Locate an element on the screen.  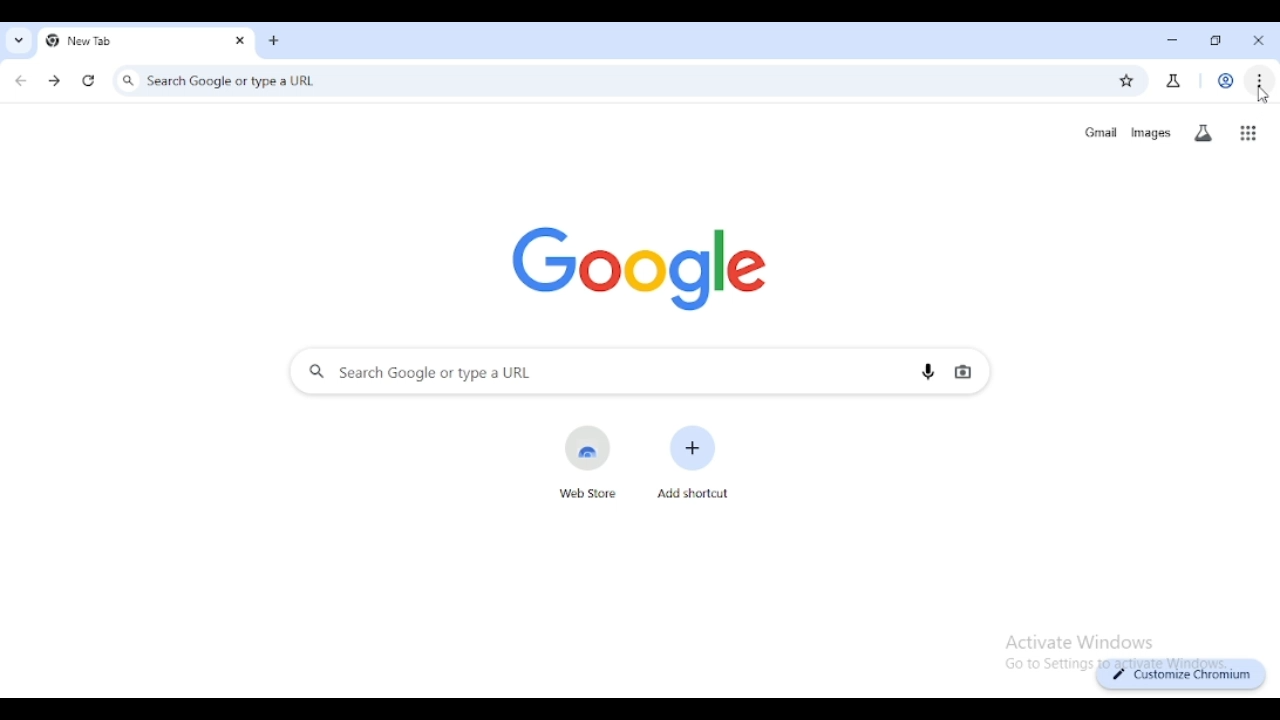
web store is located at coordinates (588, 461).